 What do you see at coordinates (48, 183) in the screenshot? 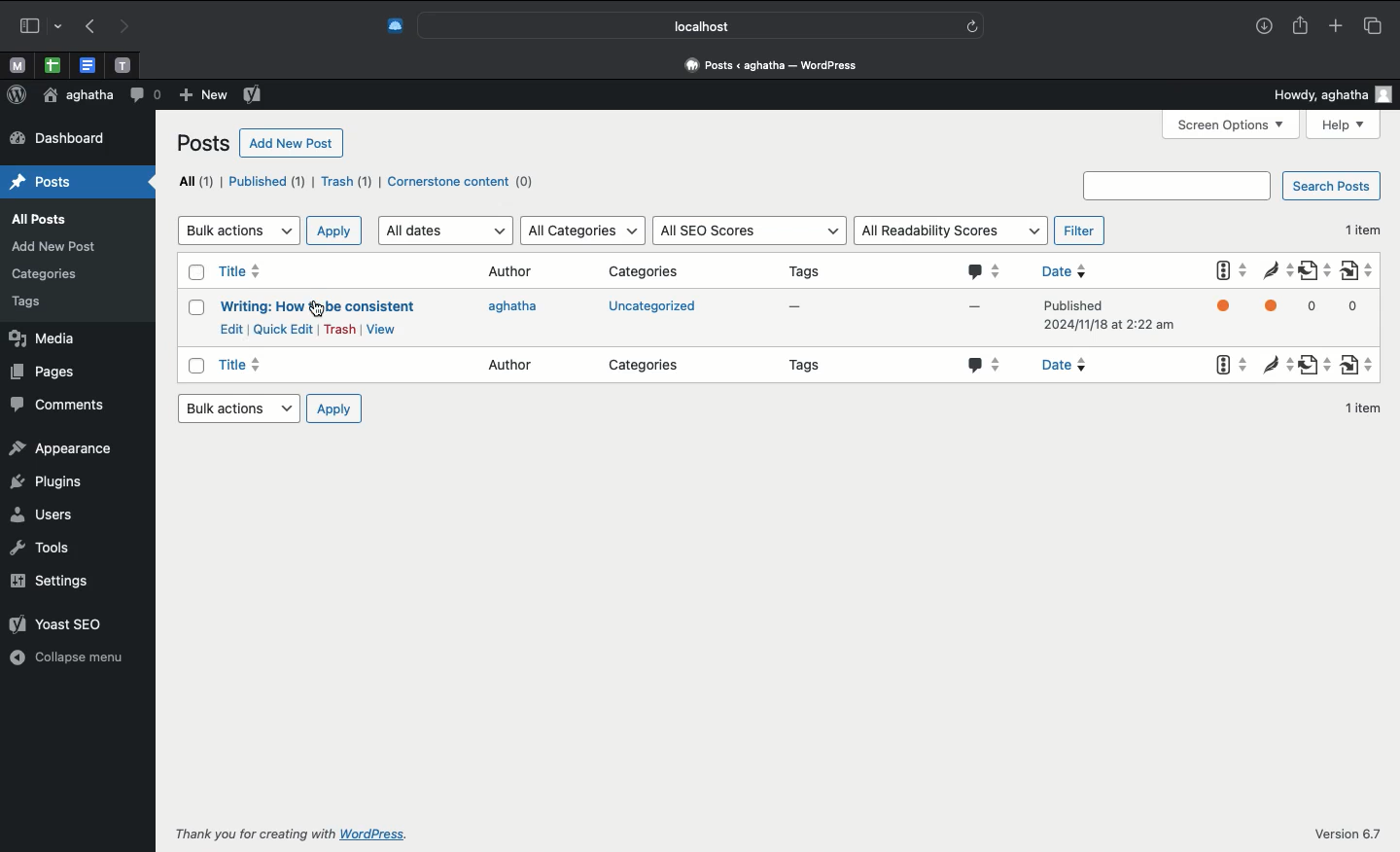
I see `Posts` at bounding box center [48, 183].